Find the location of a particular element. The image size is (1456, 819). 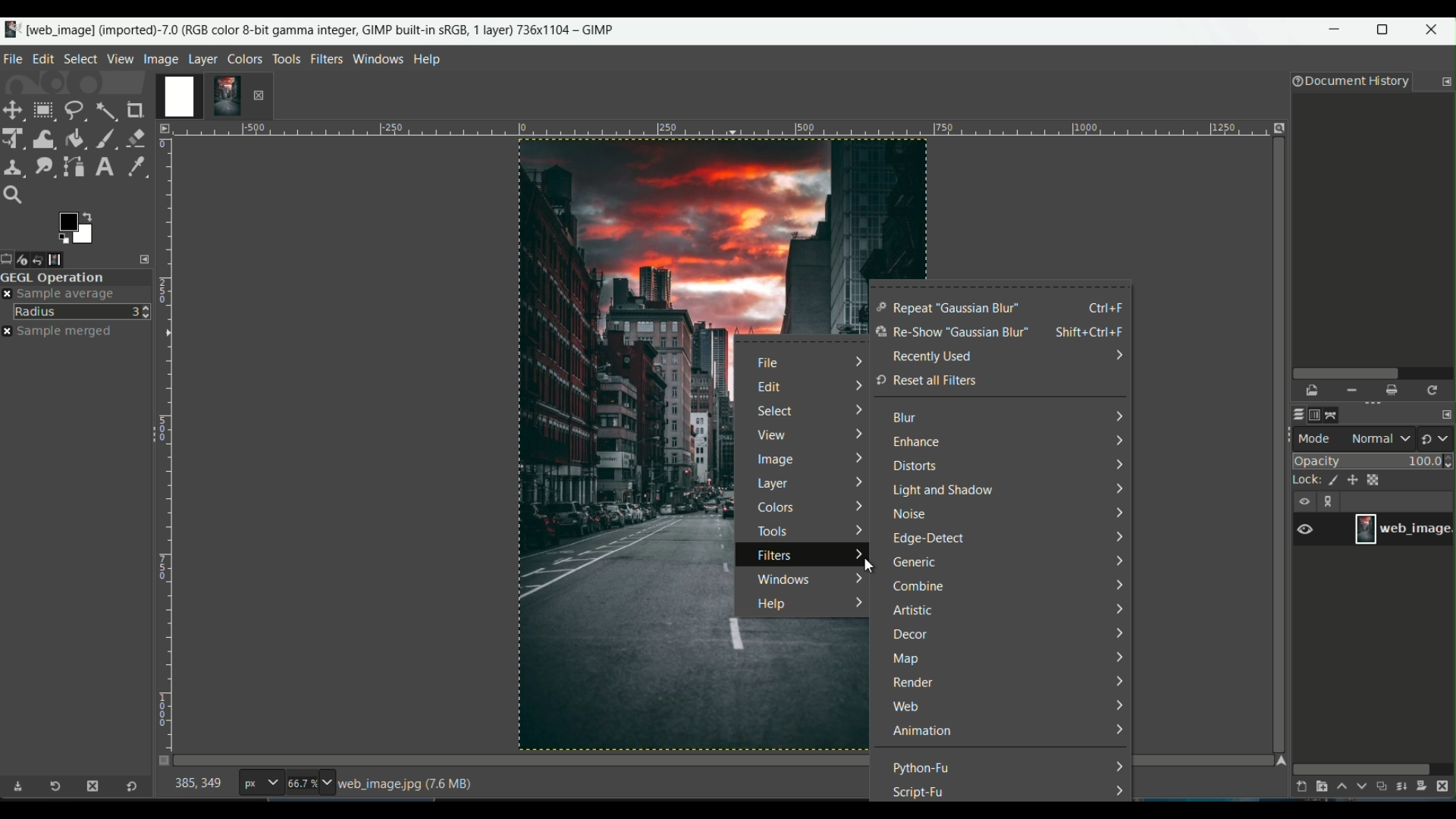

cursor position is located at coordinates (199, 786).